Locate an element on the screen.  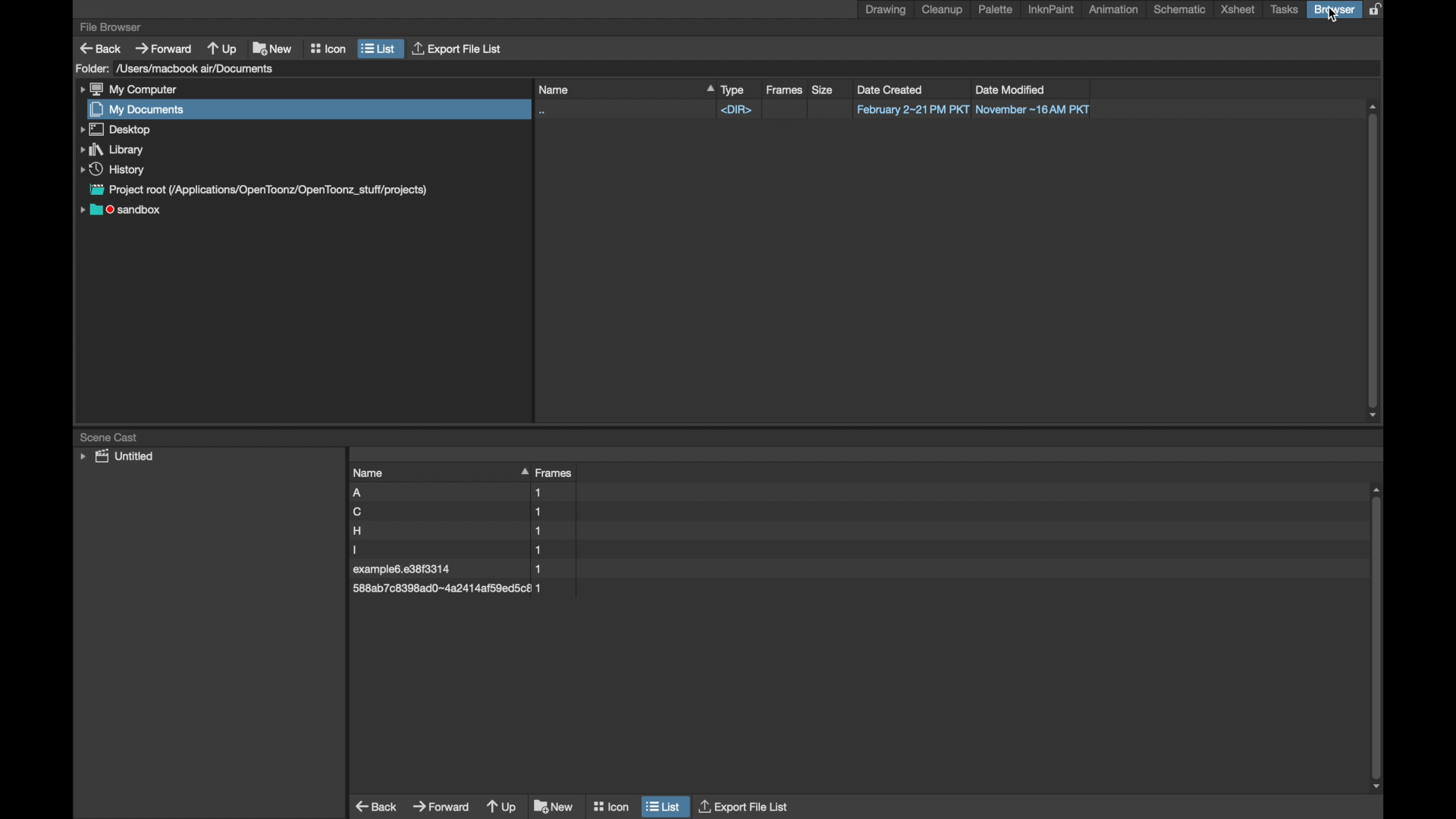
forward is located at coordinates (164, 48).